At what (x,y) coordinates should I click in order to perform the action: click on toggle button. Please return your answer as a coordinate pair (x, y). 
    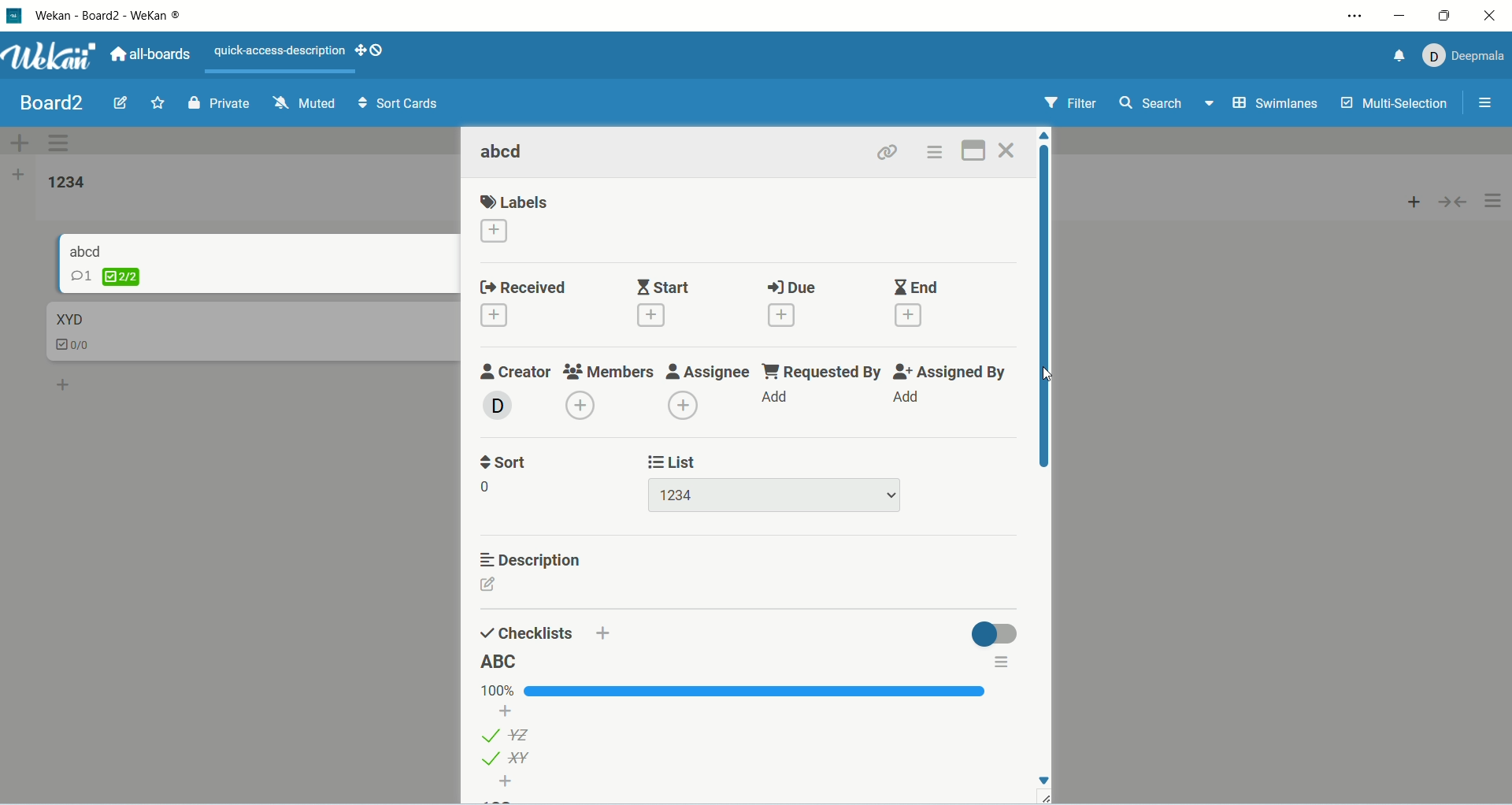
    Looking at the image, I should click on (993, 631).